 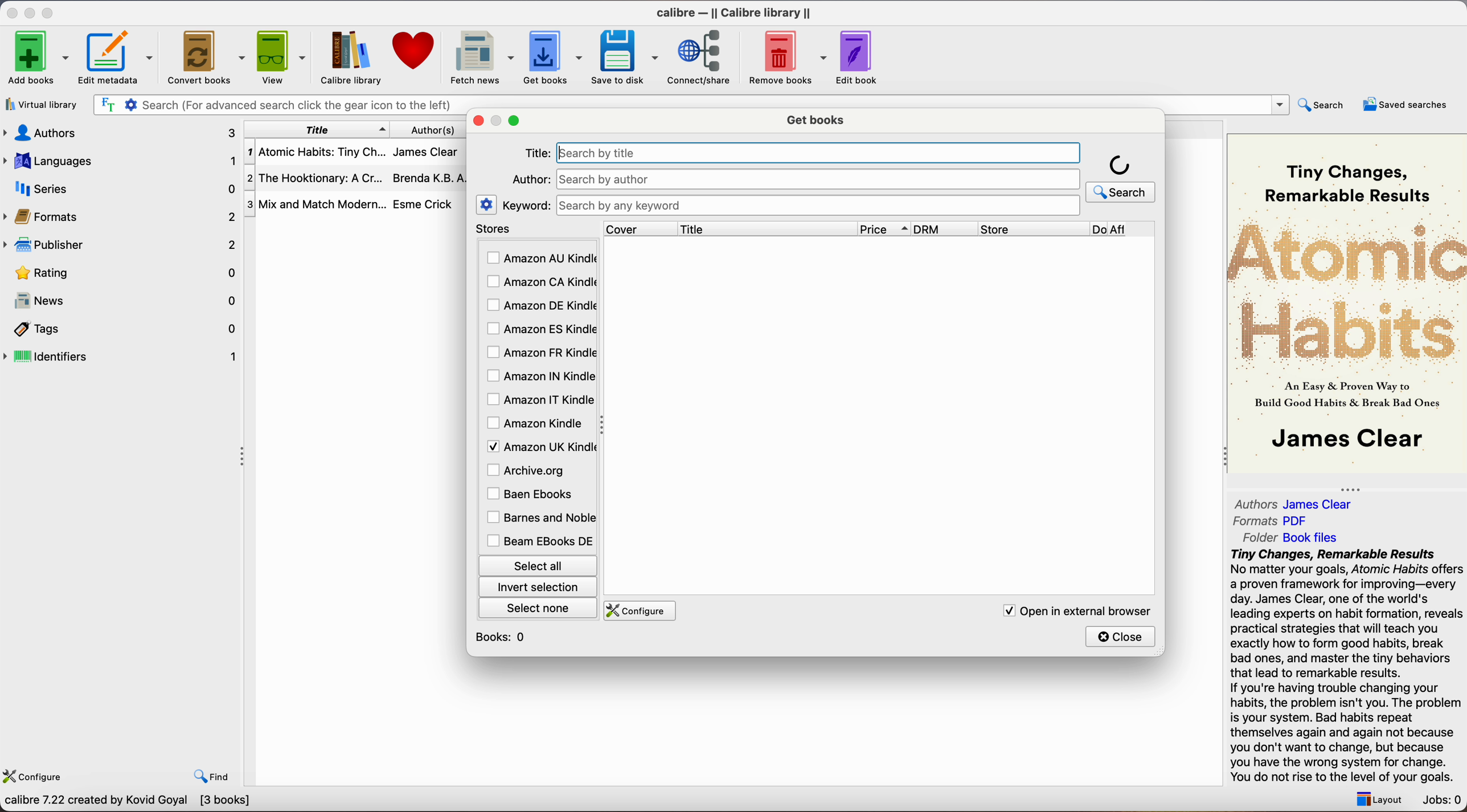 What do you see at coordinates (346, 58) in the screenshot?
I see `calibre library` at bounding box center [346, 58].